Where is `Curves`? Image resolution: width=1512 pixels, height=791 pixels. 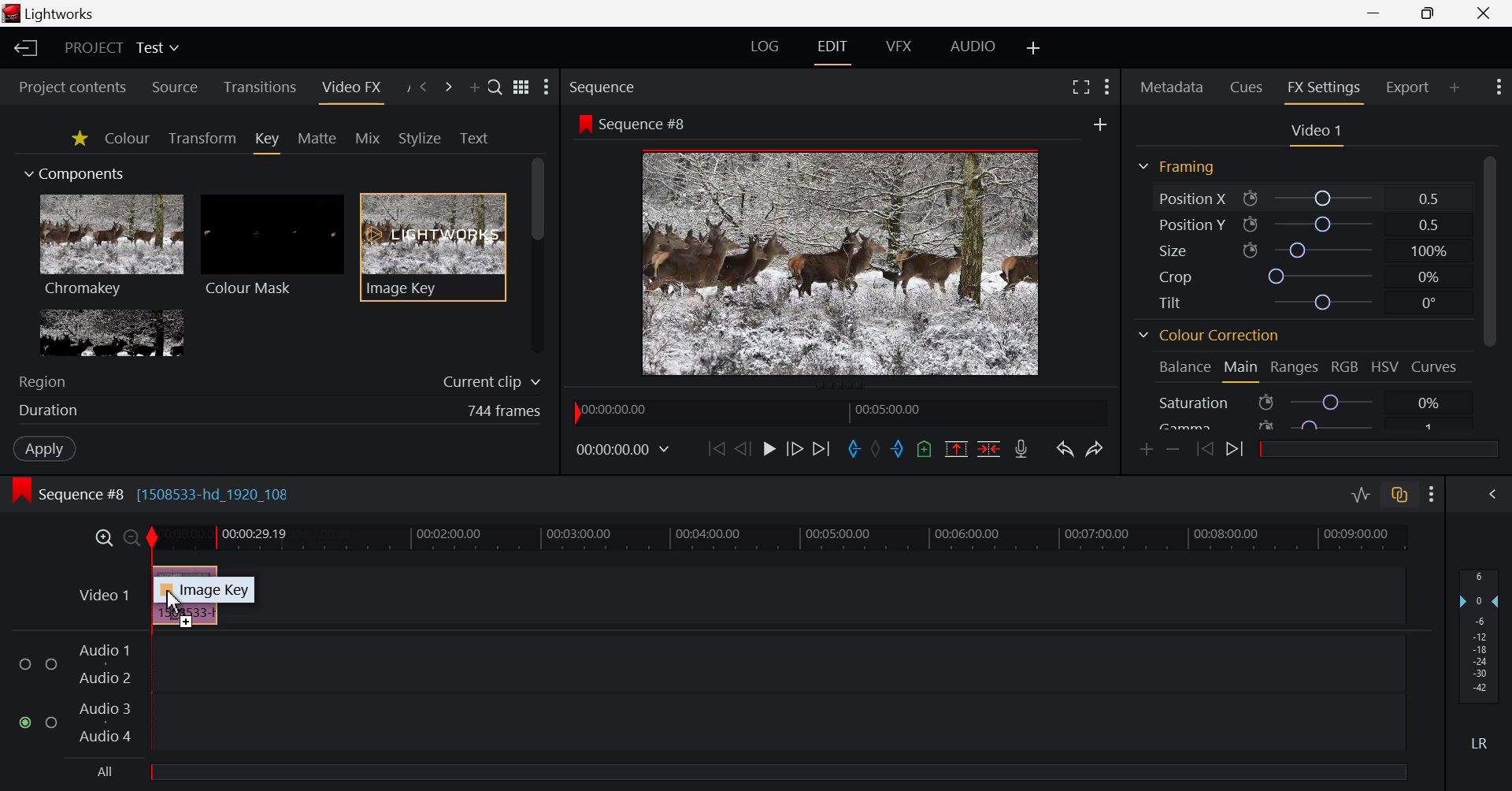
Curves is located at coordinates (1433, 367).